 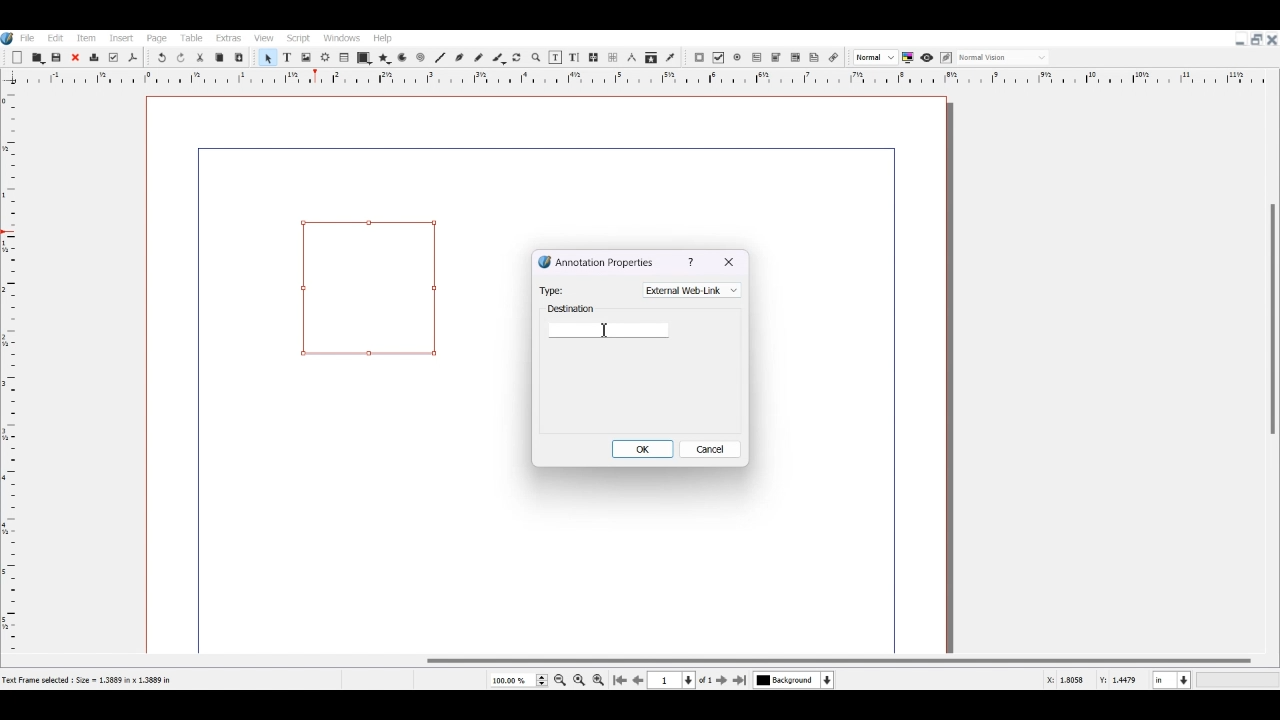 I want to click on Select the visual appearance on display, so click(x=1004, y=56).